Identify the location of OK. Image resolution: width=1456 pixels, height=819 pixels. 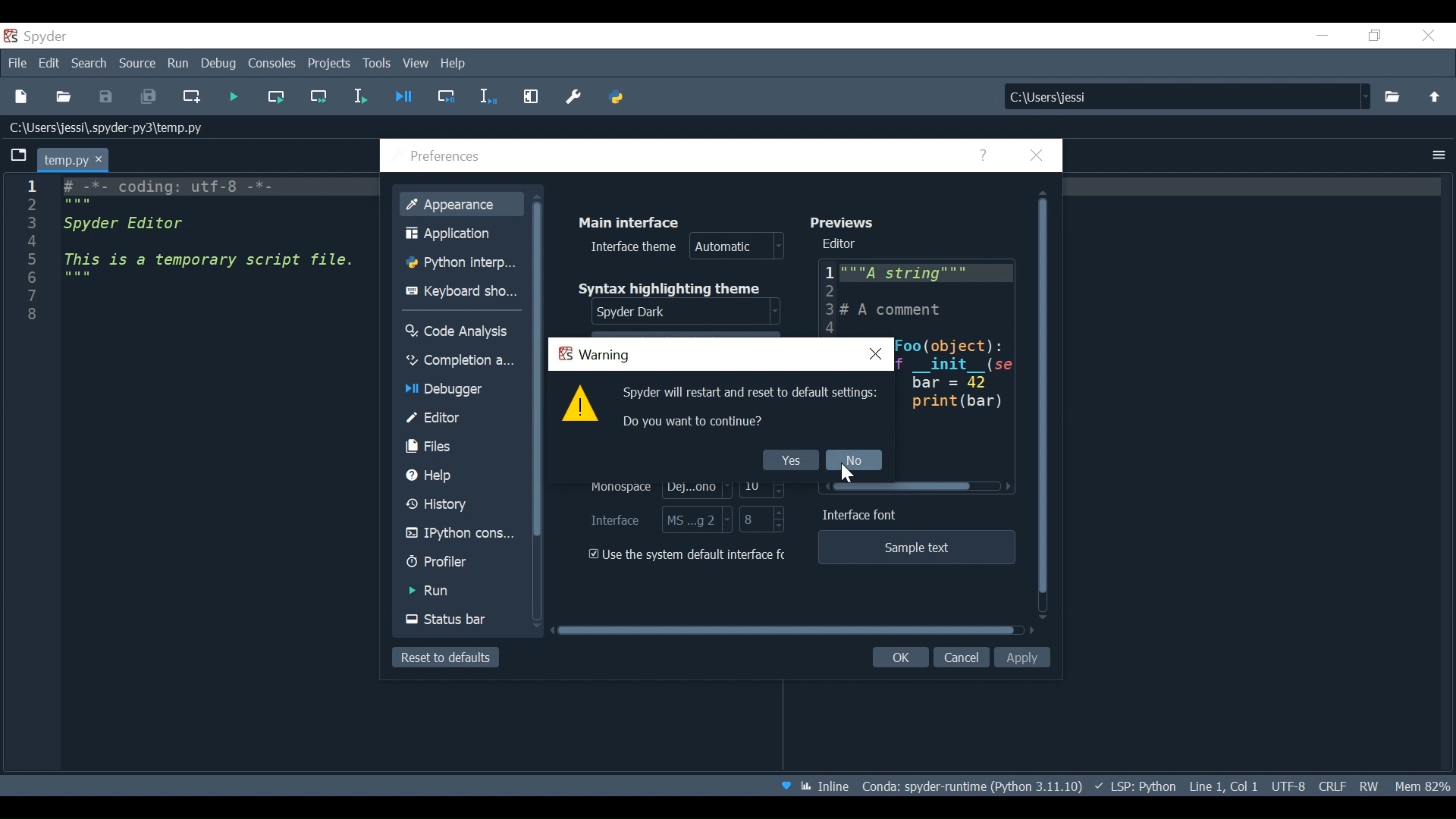
(900, 657).